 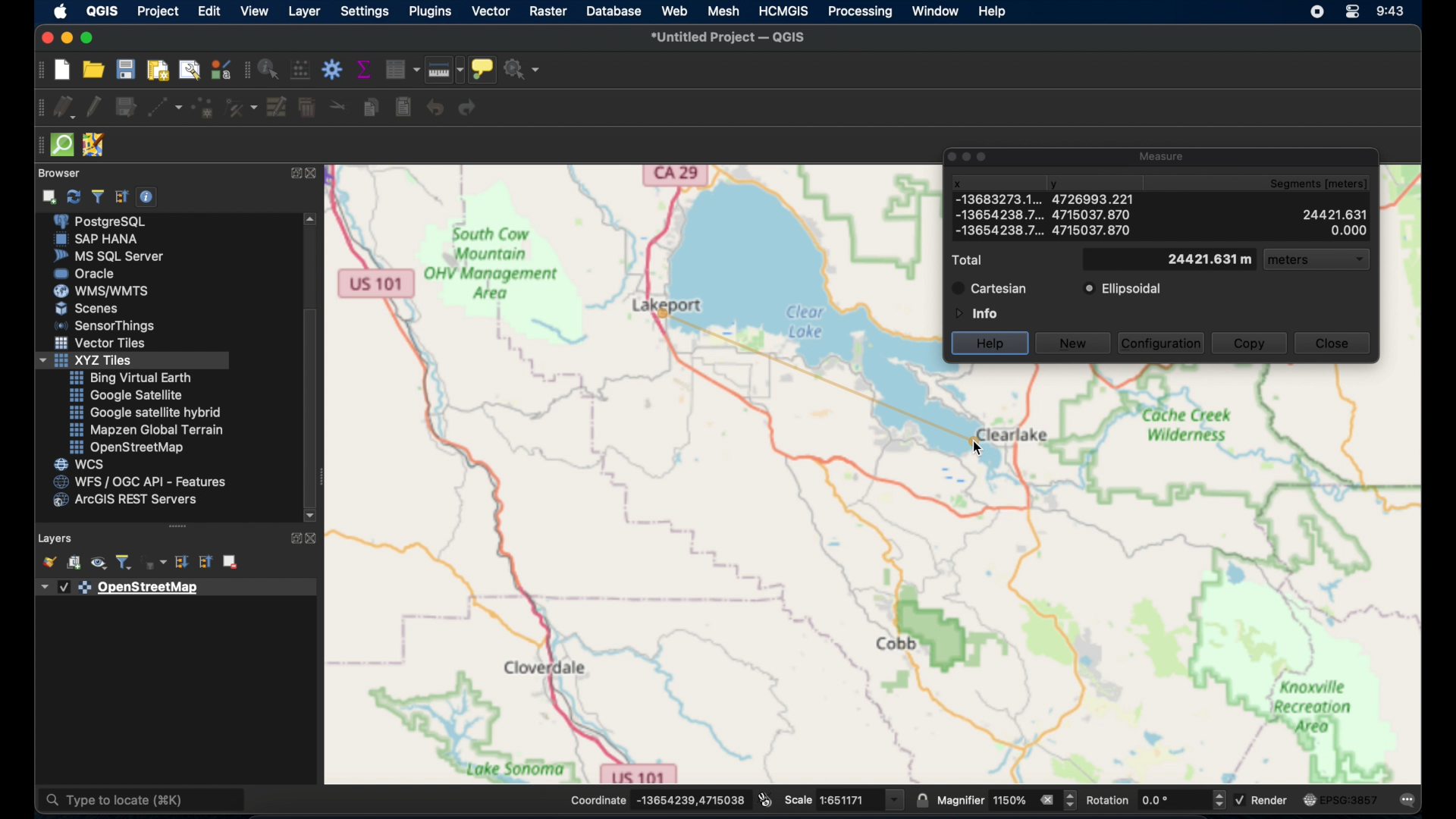 I want to click on control center, so click(x=1355, y=13).